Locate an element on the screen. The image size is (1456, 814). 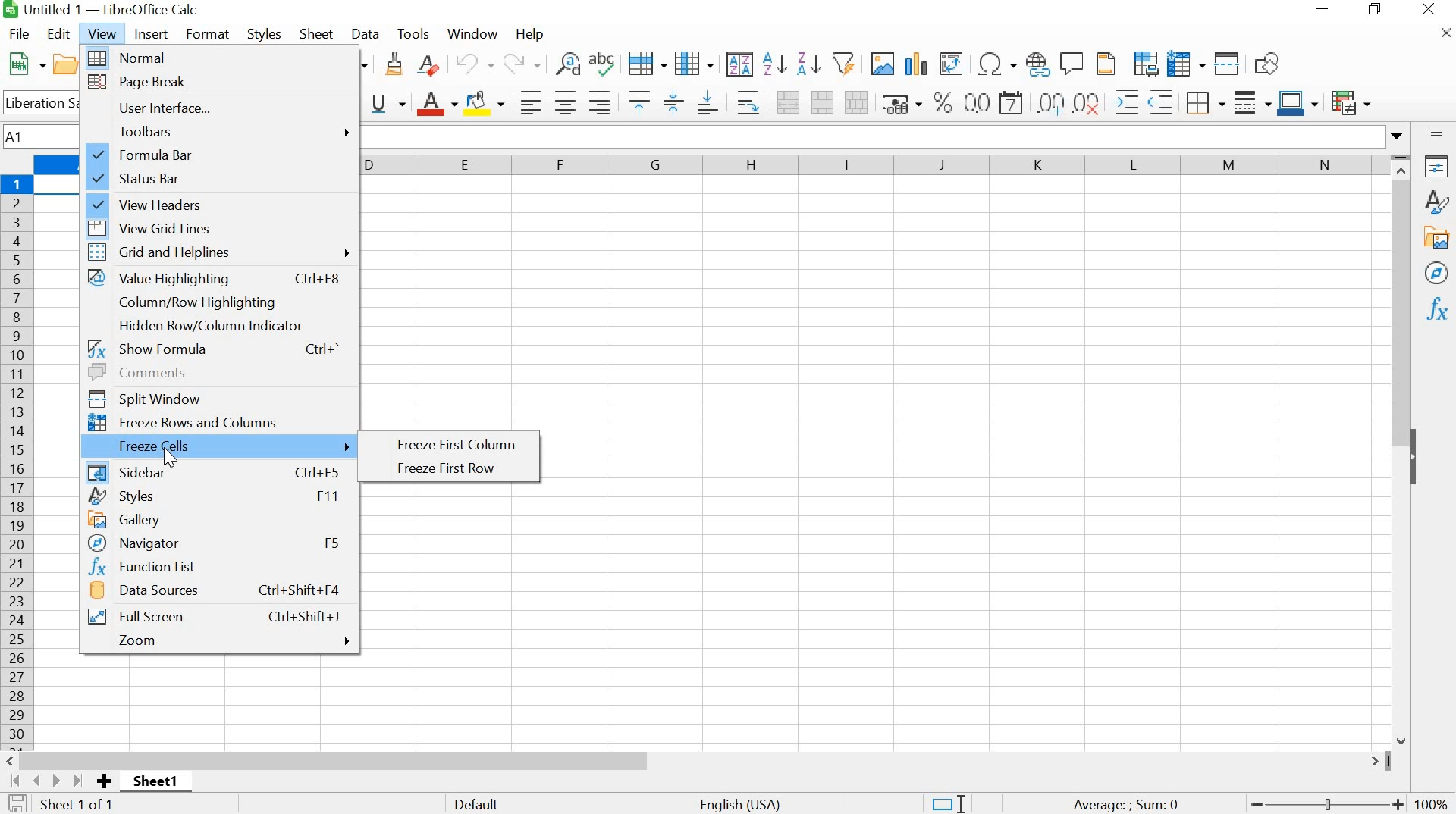
TOOLBARS is located at coordinates (221, 131).